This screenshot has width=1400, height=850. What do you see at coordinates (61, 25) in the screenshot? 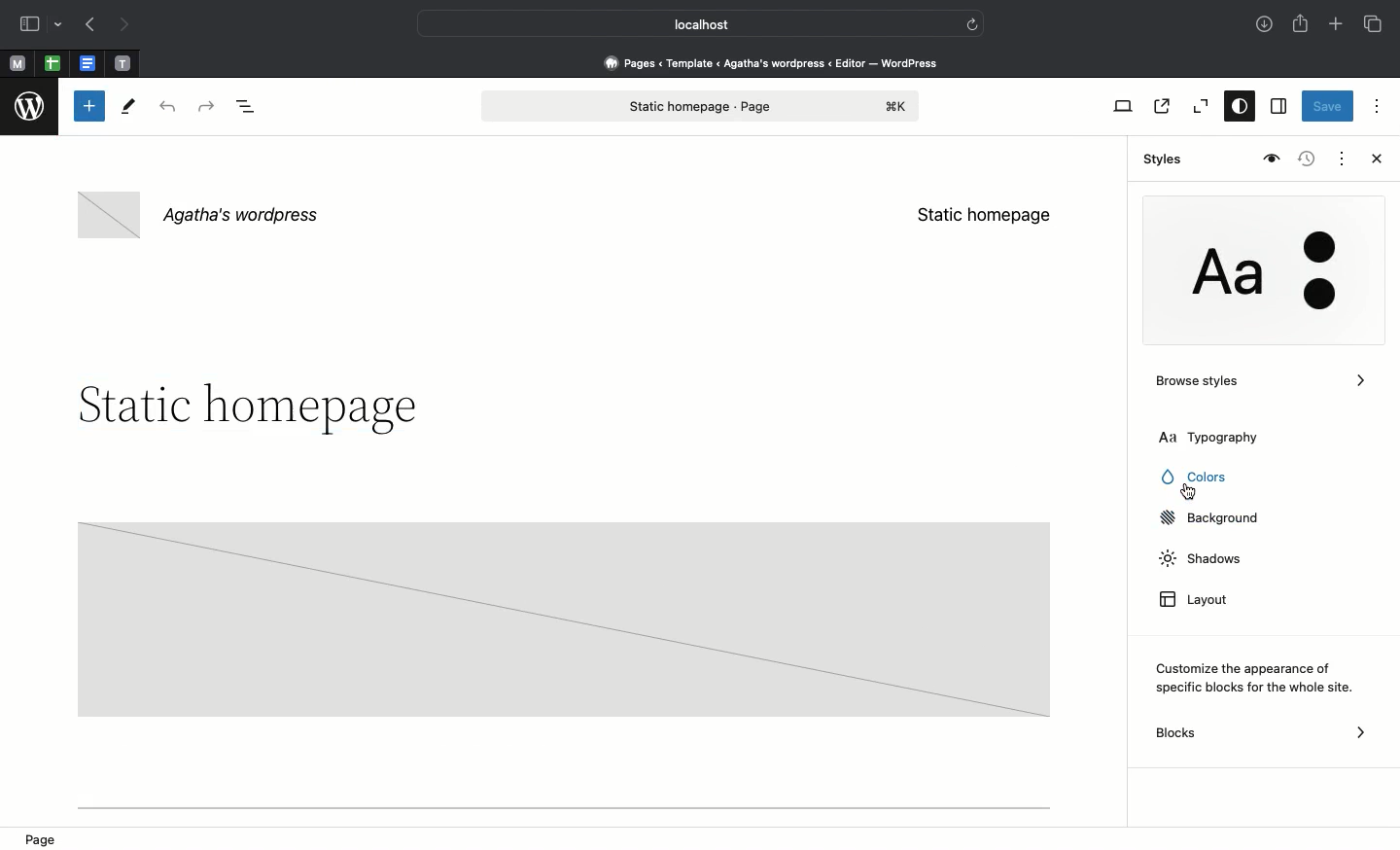
I see `drop-down` at bounding box center [61, 25].